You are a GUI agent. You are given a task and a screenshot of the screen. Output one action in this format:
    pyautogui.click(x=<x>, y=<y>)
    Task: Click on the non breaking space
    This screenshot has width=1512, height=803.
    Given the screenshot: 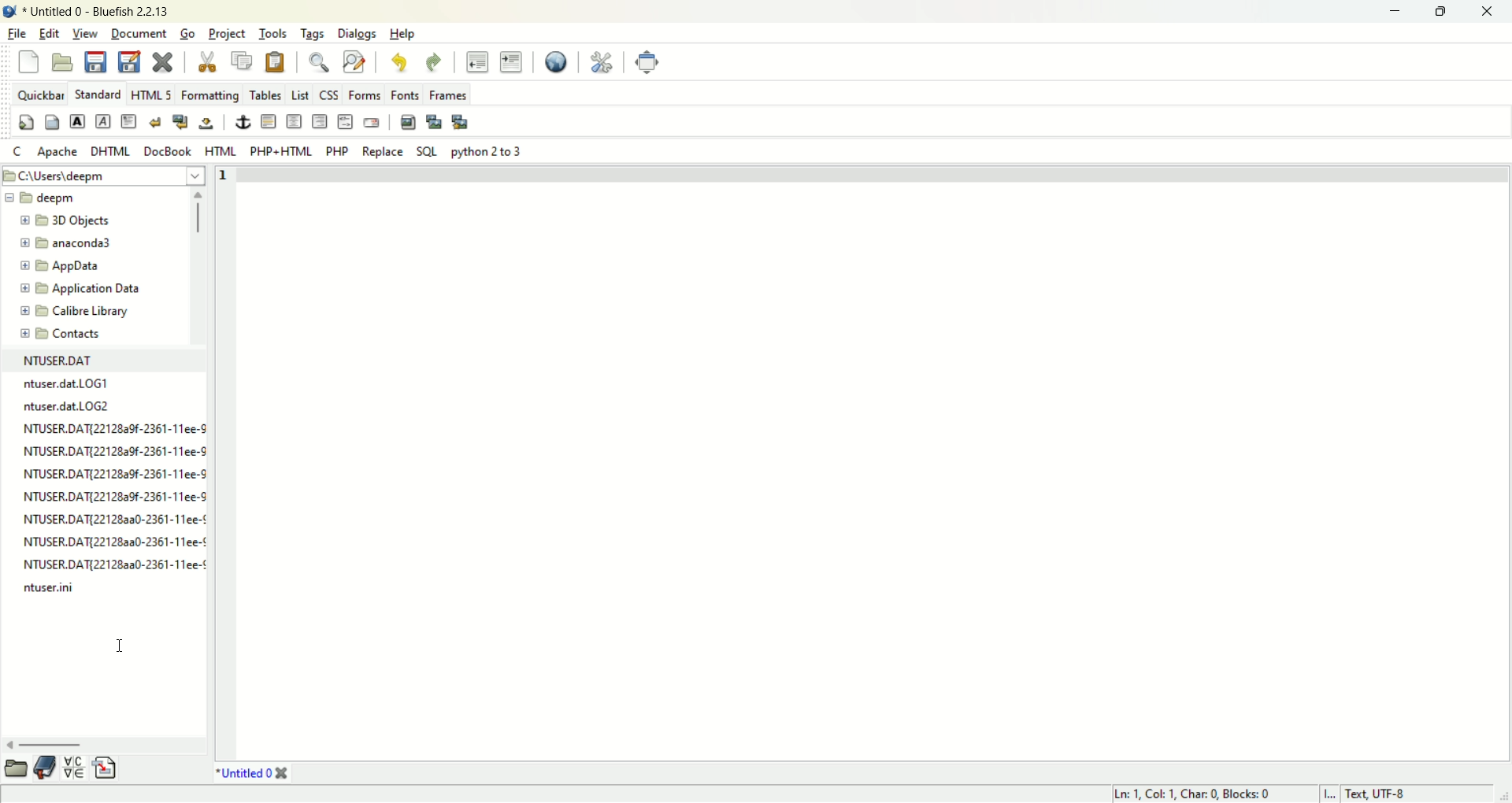 What is the action you would take?
    pyautogui.click(x=206, y=125)
    